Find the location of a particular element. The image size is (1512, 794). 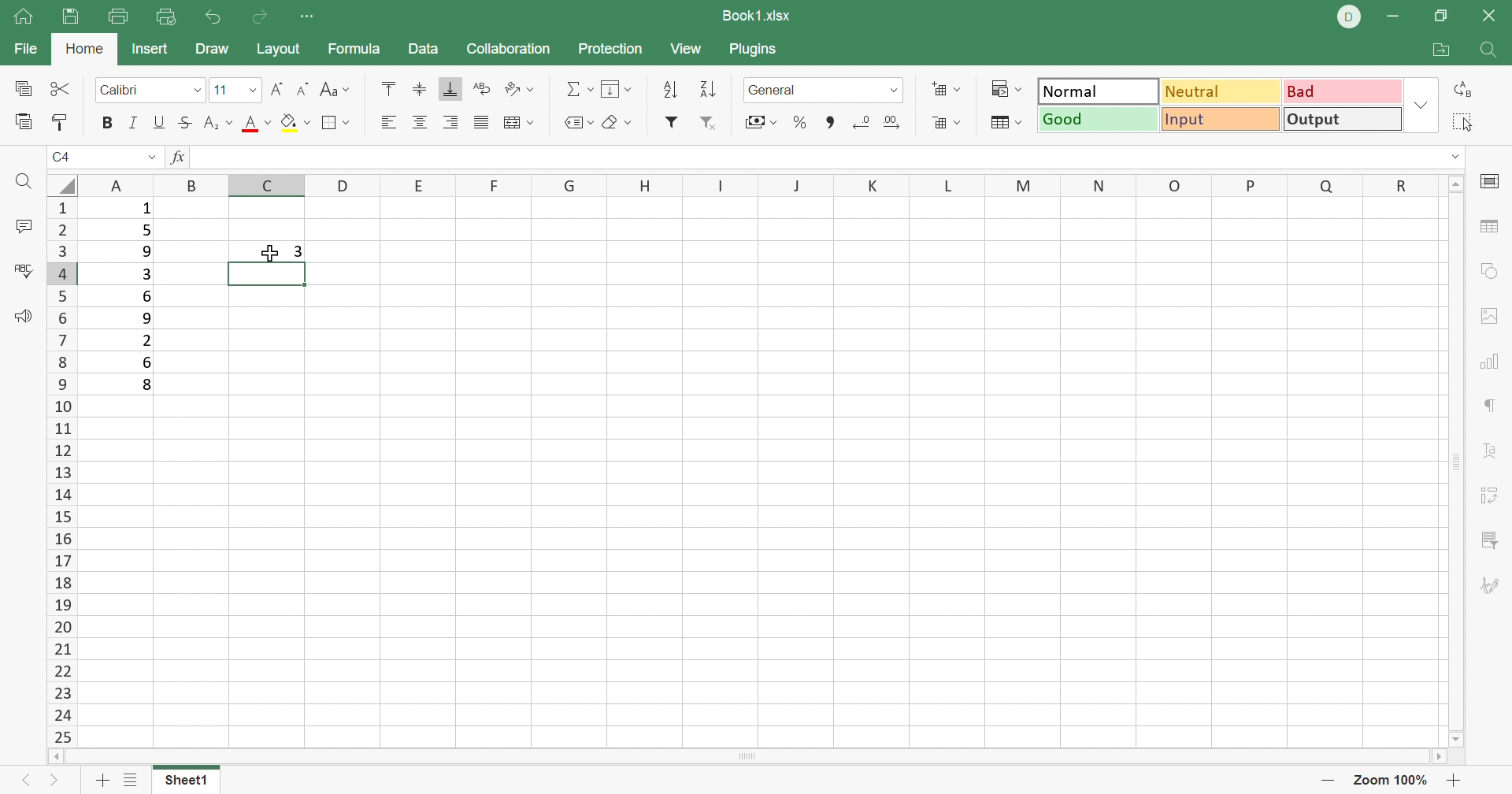

Book1.xlsx is located at coordinates (757, 13).